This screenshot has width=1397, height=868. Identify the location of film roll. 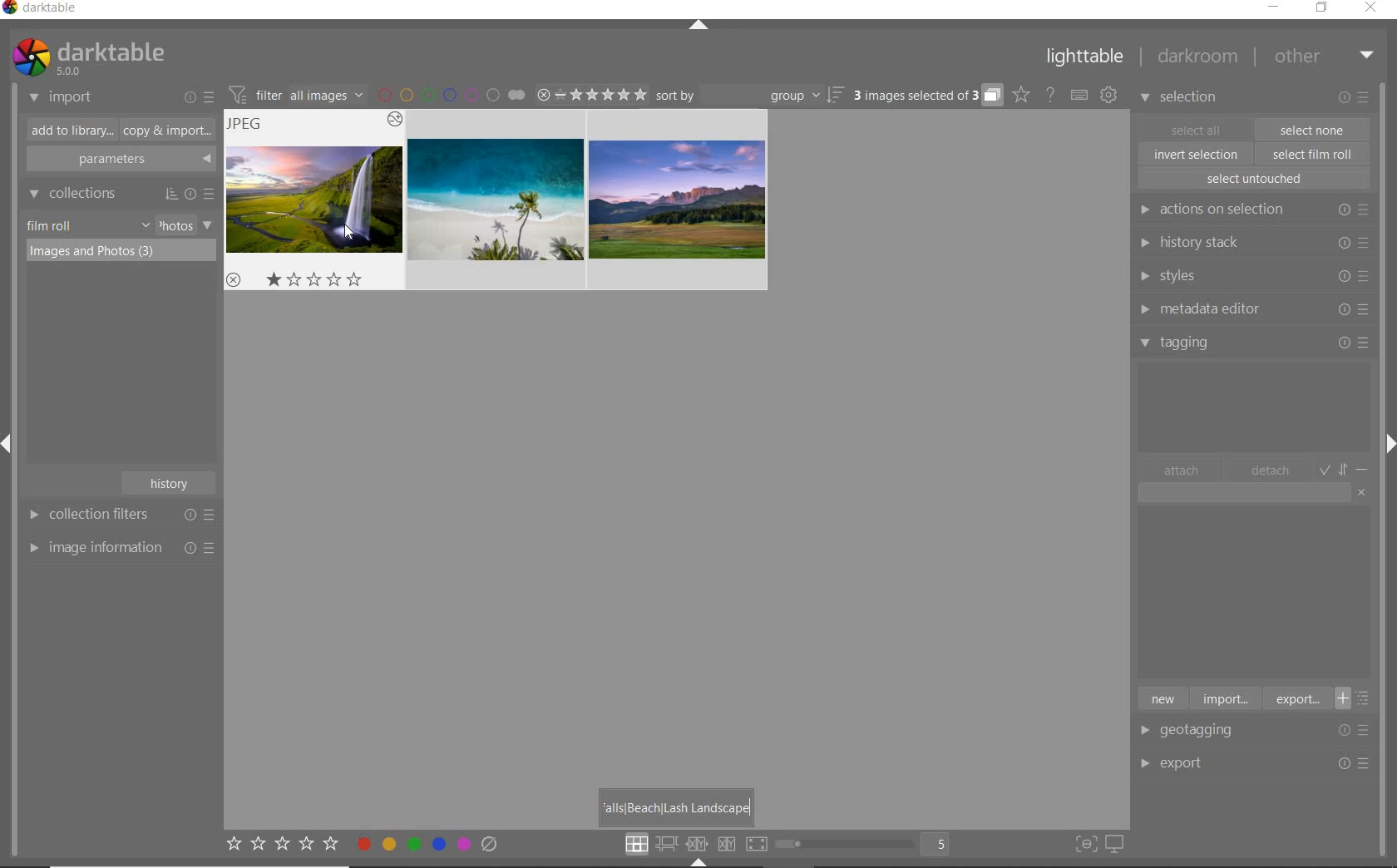
(51, 225).